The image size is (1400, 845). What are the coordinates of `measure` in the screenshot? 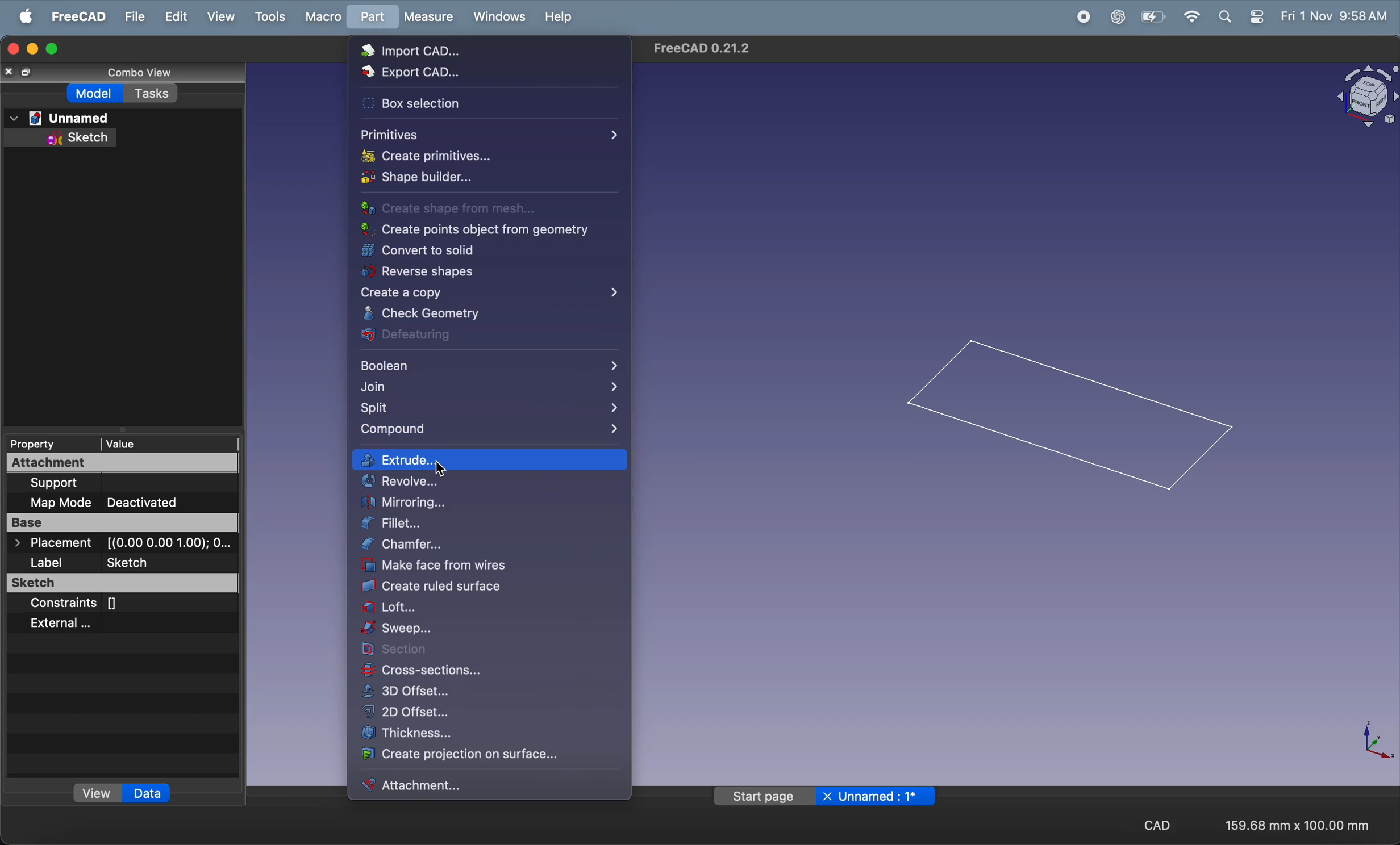 It's located at (427, 16).